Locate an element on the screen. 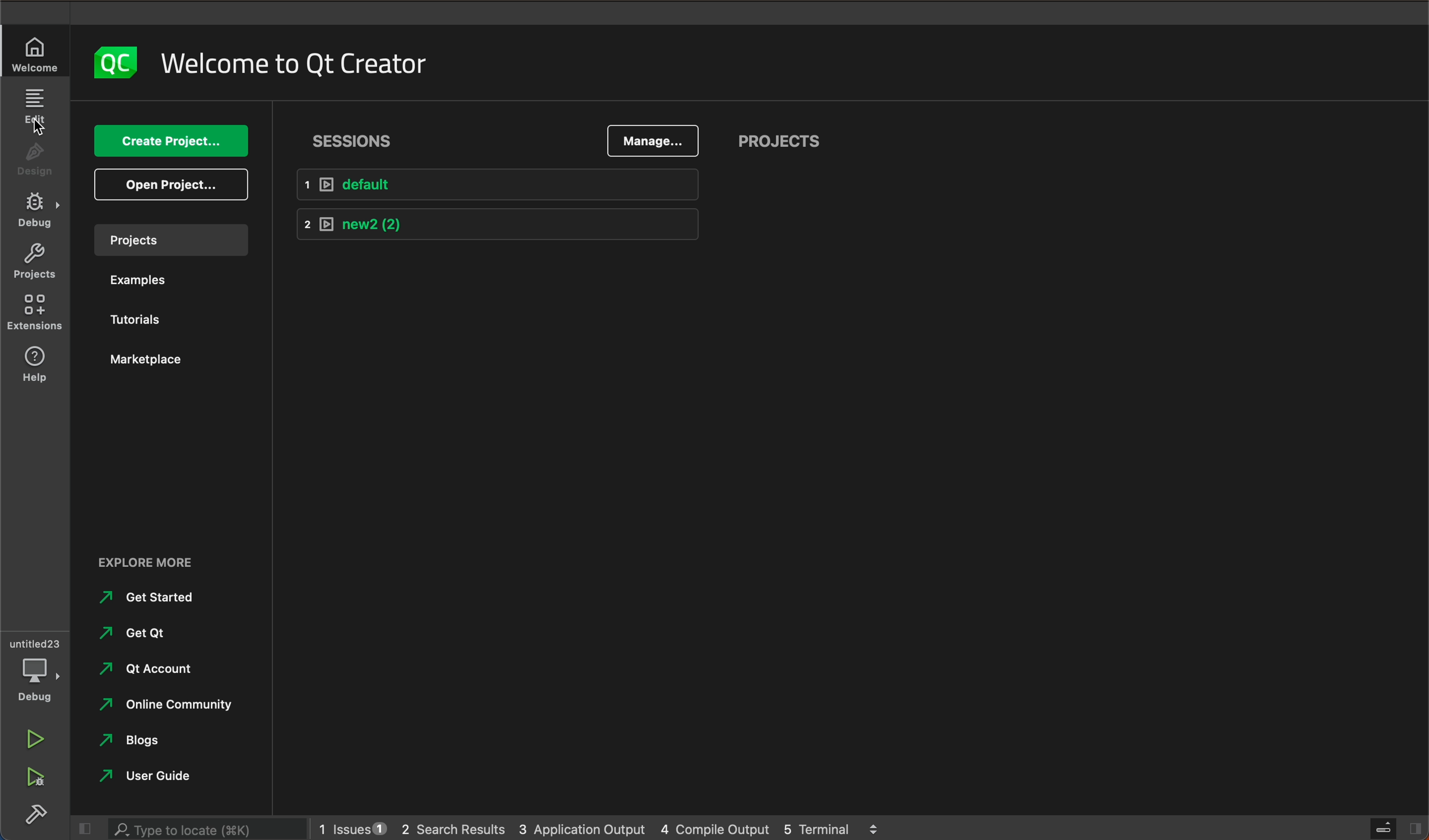 This screenshot has height=840, width=1429. search bar is located at coordinates (208, 828).